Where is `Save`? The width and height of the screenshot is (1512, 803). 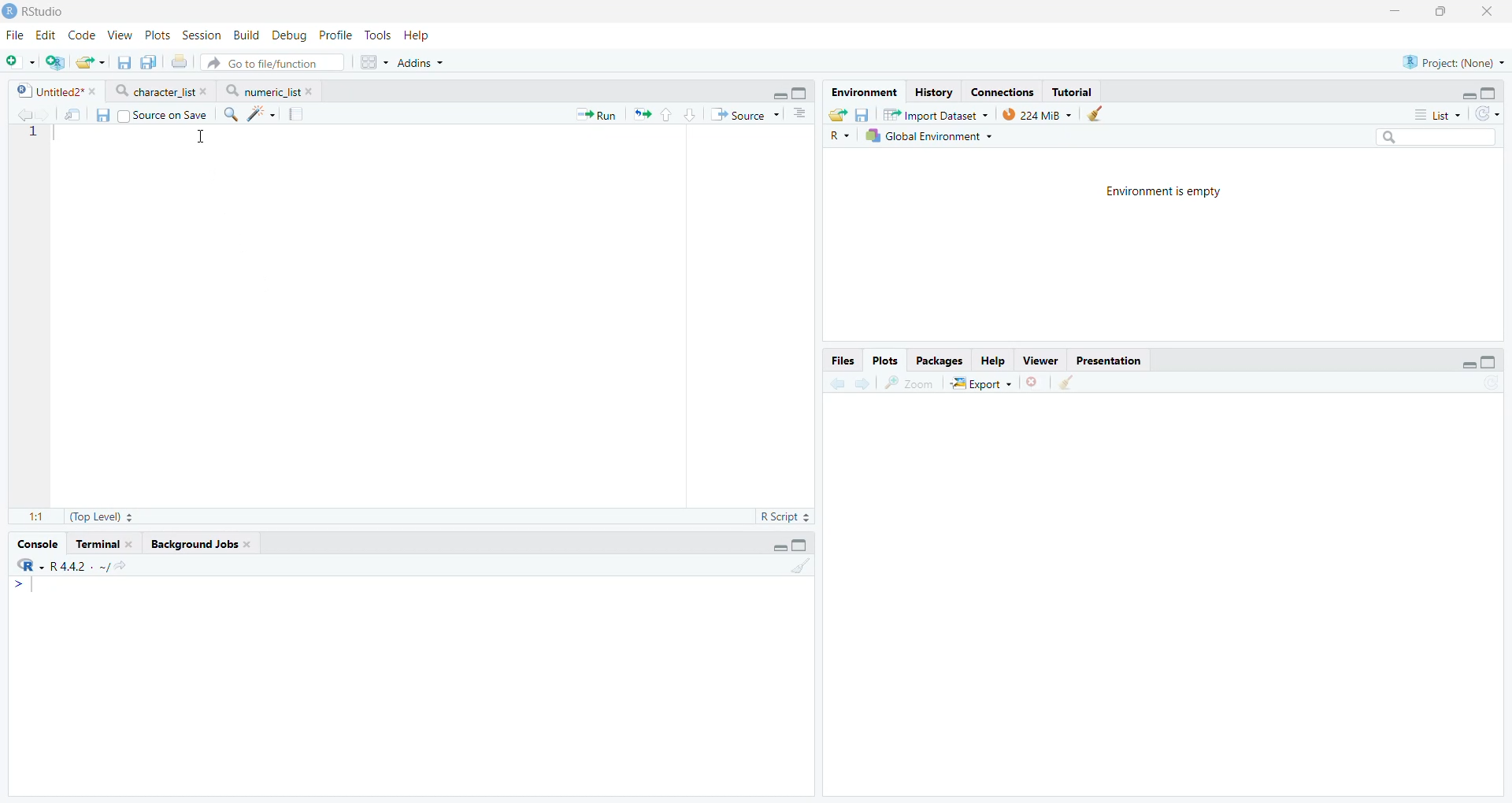
Save is located at coordinates (863, 113).